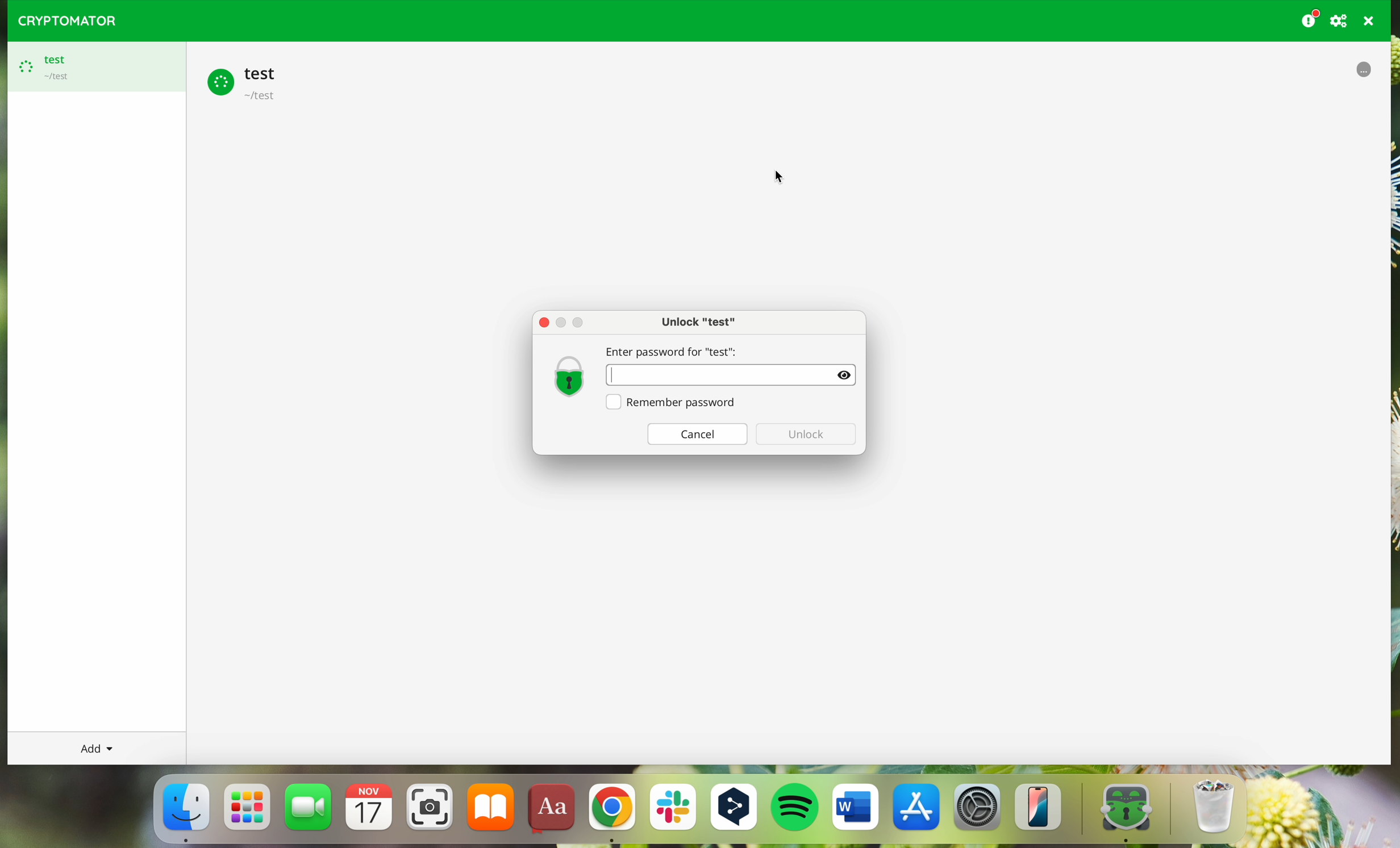 The image size is (1400, 848). Describe the element at coordinates (566, 375) in the screenshot. I see `Lock icon` at that location.